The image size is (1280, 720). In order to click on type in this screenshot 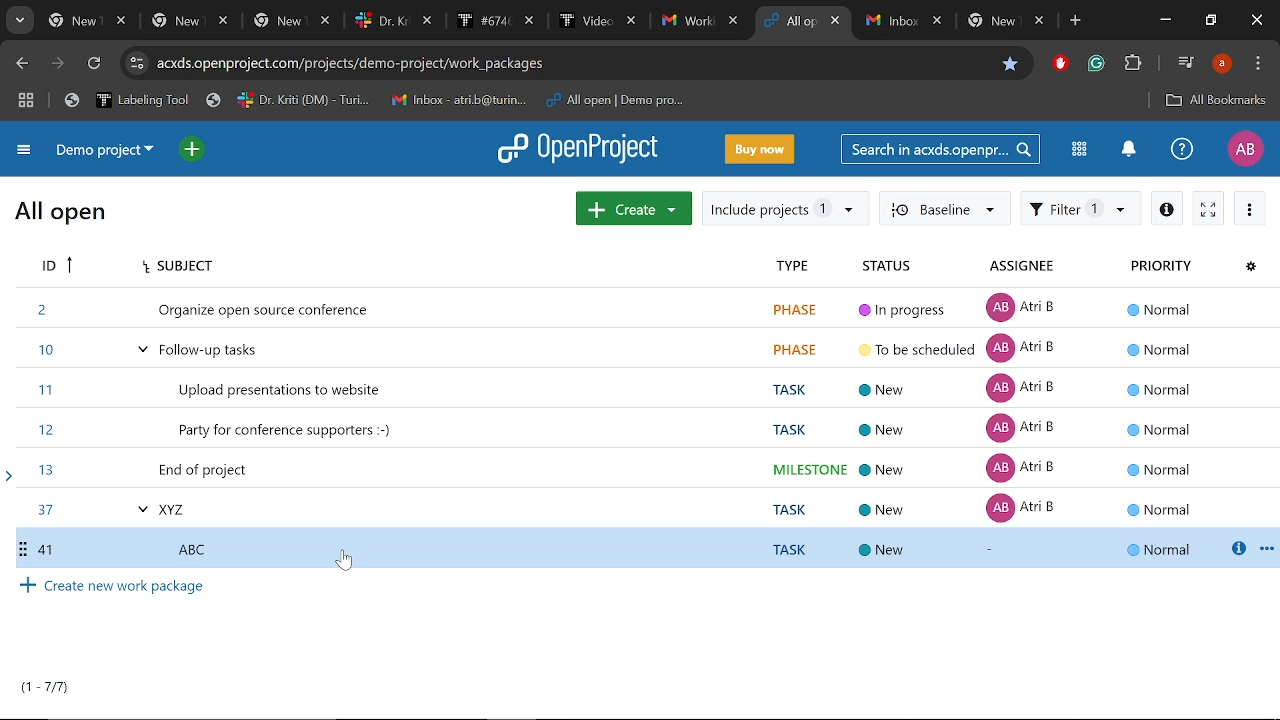, I will do `click(781, 412)`.